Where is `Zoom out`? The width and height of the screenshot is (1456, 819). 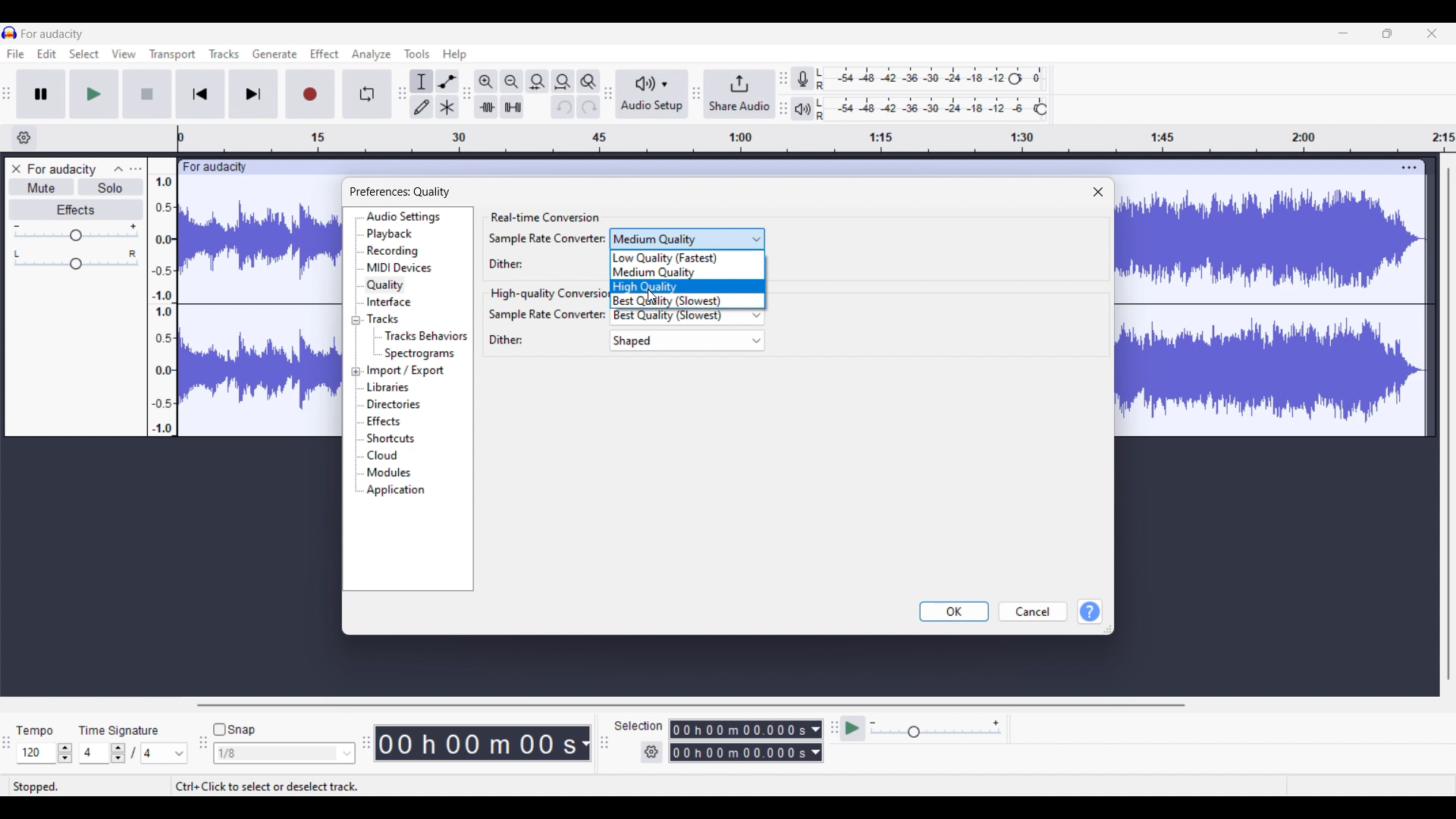
Zoom out is located at coordinates (512, 82).